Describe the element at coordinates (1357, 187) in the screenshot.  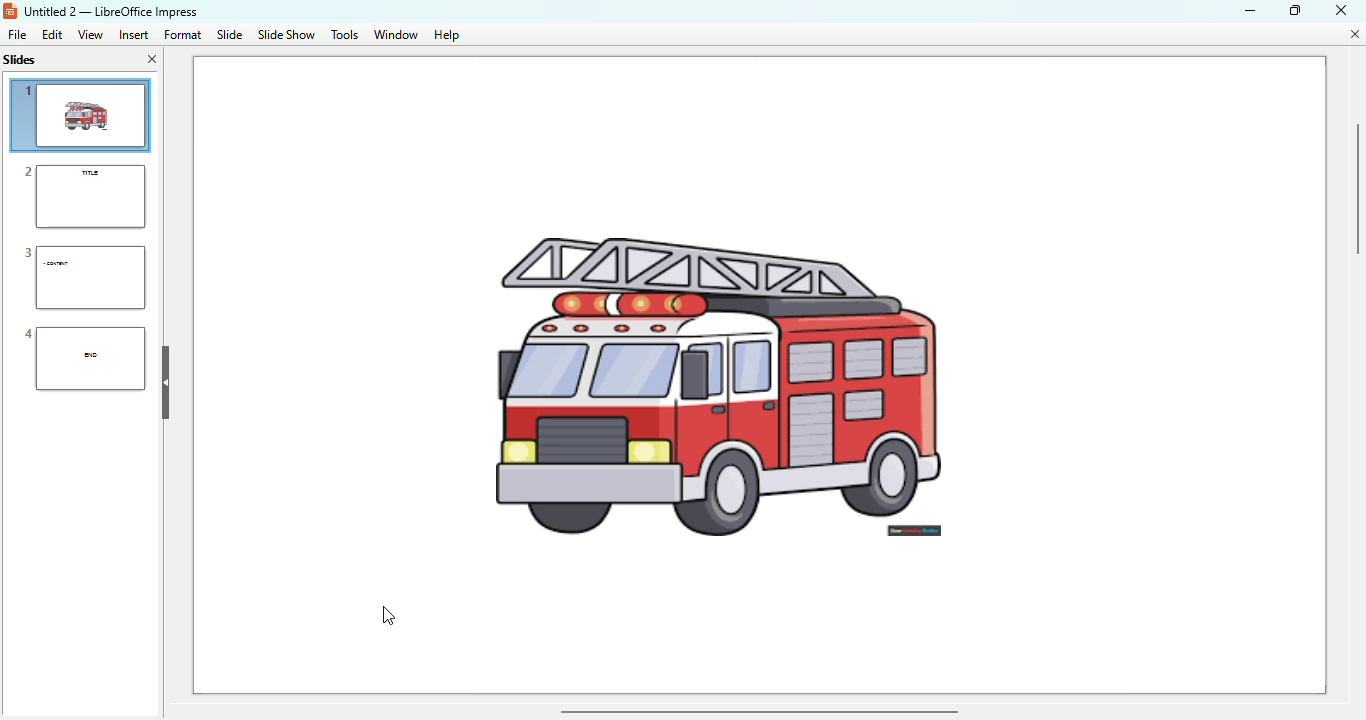
I see `vertical scroll bar` at that location.